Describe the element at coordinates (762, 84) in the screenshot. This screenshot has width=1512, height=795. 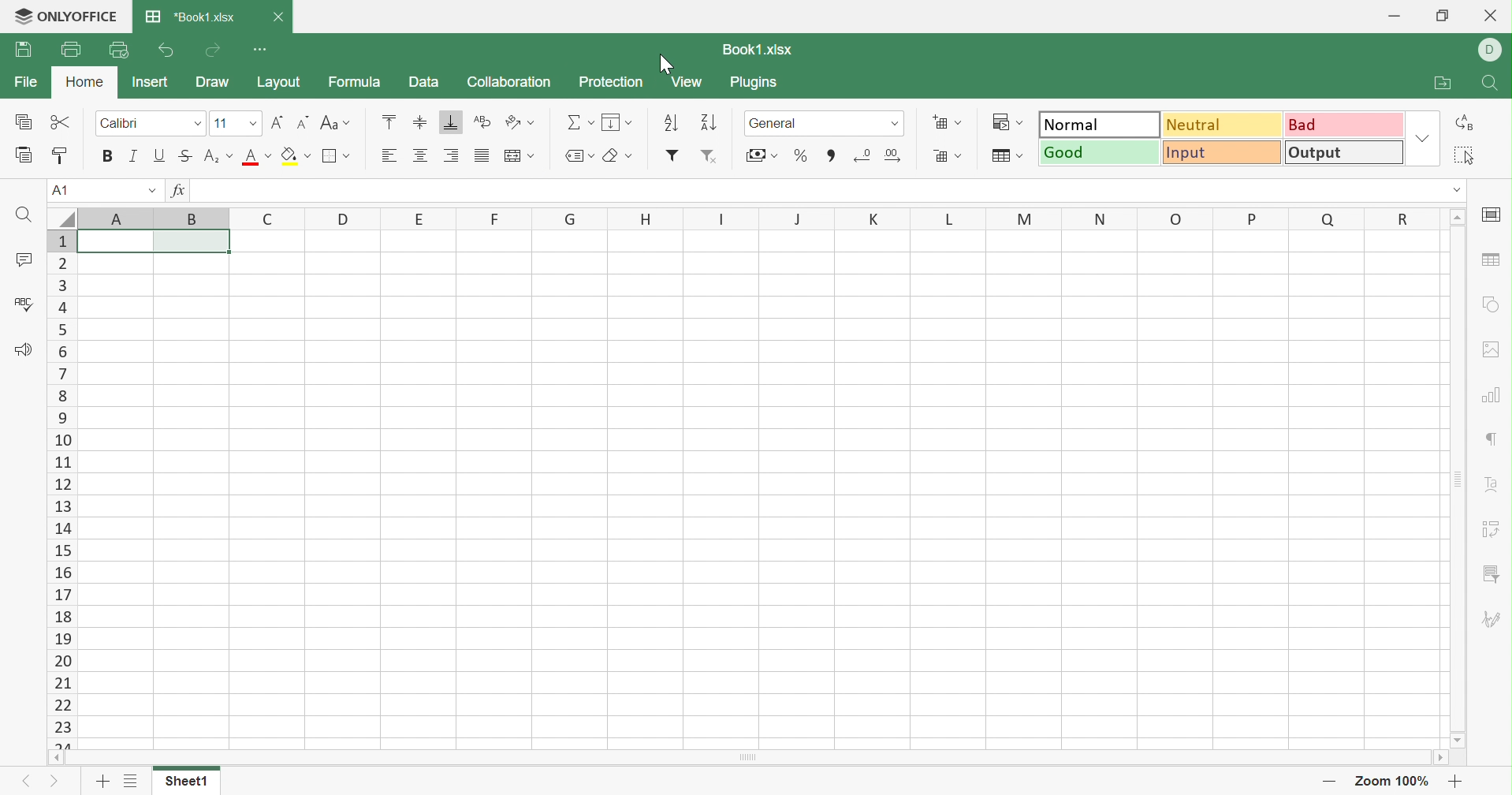
I see `Plugins` at that location.